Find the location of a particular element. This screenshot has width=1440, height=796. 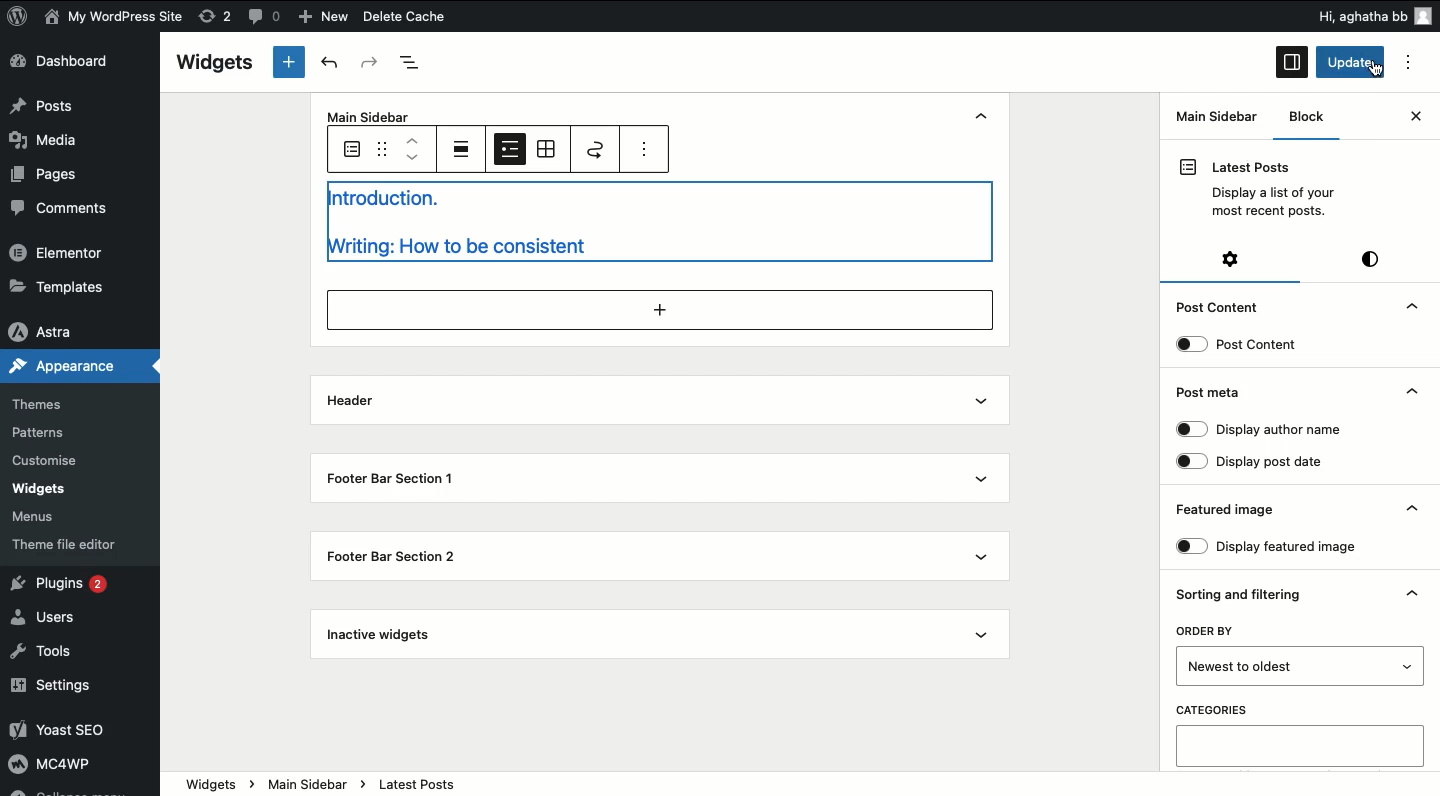

Redo is located at coordinates (367, 65).